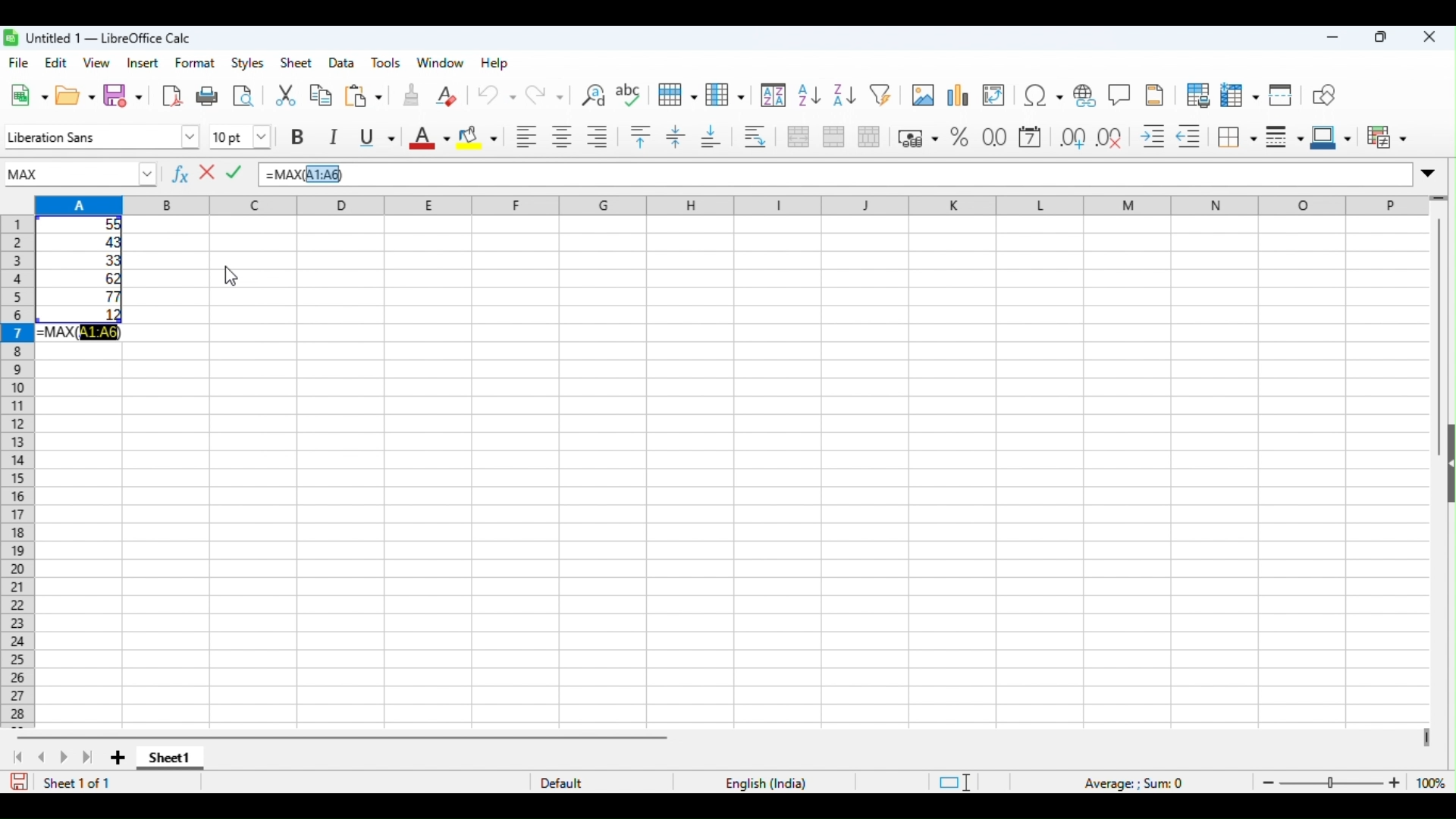  What do you see at coordinates (642, 136) in the screenshot?
I see `align top` at bounding box center [642, 136].